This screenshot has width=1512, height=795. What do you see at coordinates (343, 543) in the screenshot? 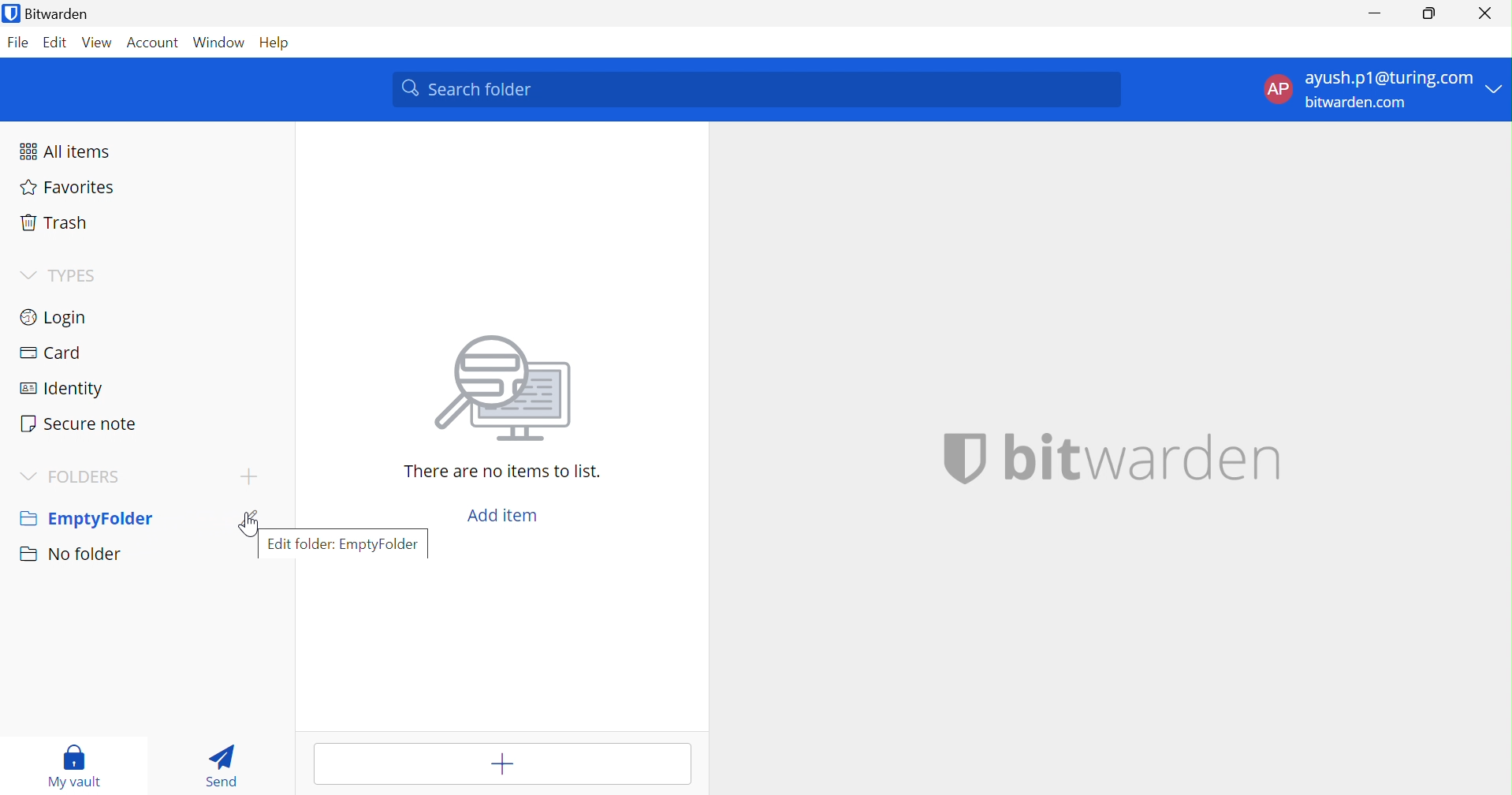
I see `Edit folder: EmptyFolder` at bounding box center [343, 543].